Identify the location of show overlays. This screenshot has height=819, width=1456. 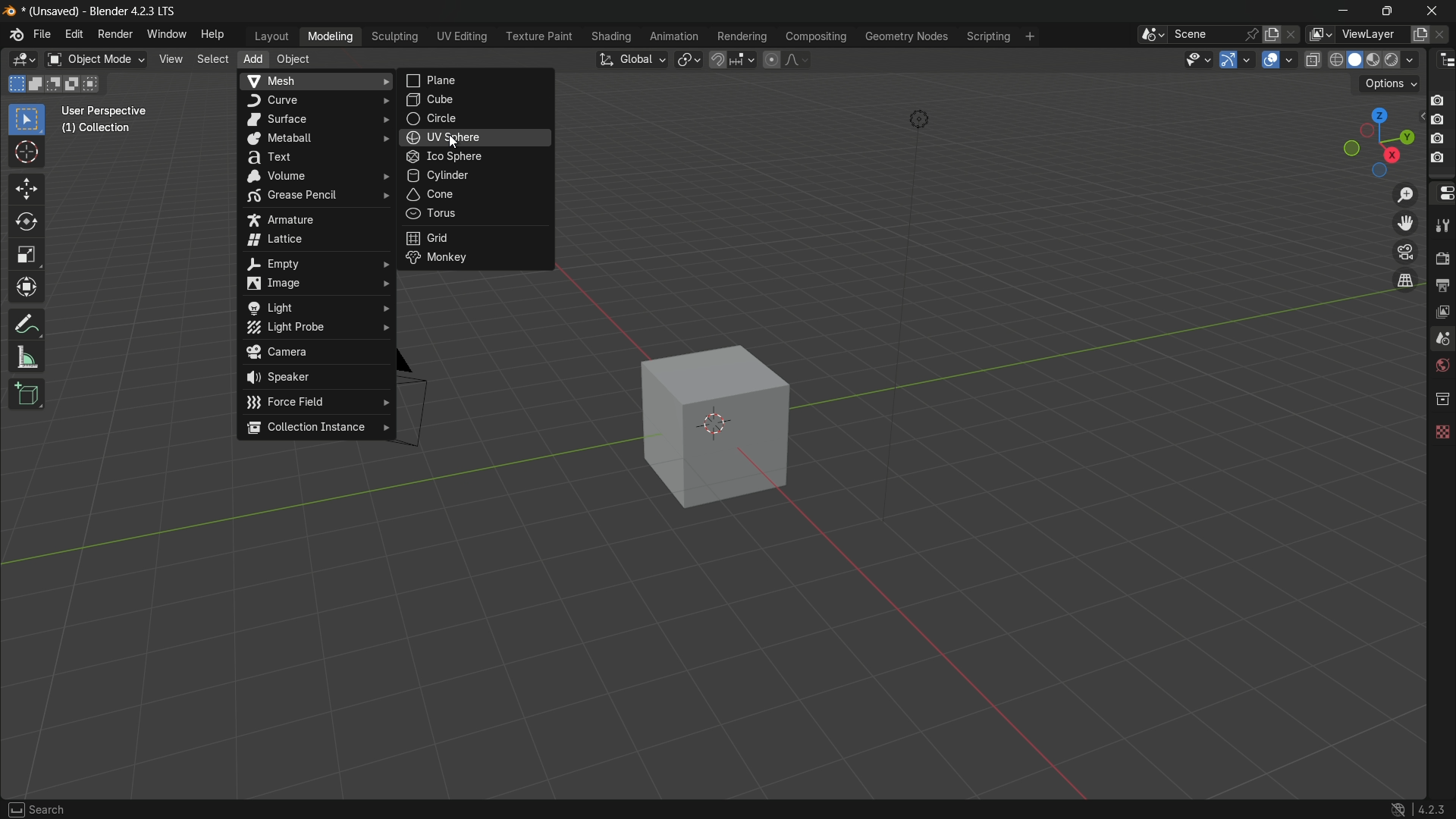
(1291, 60).